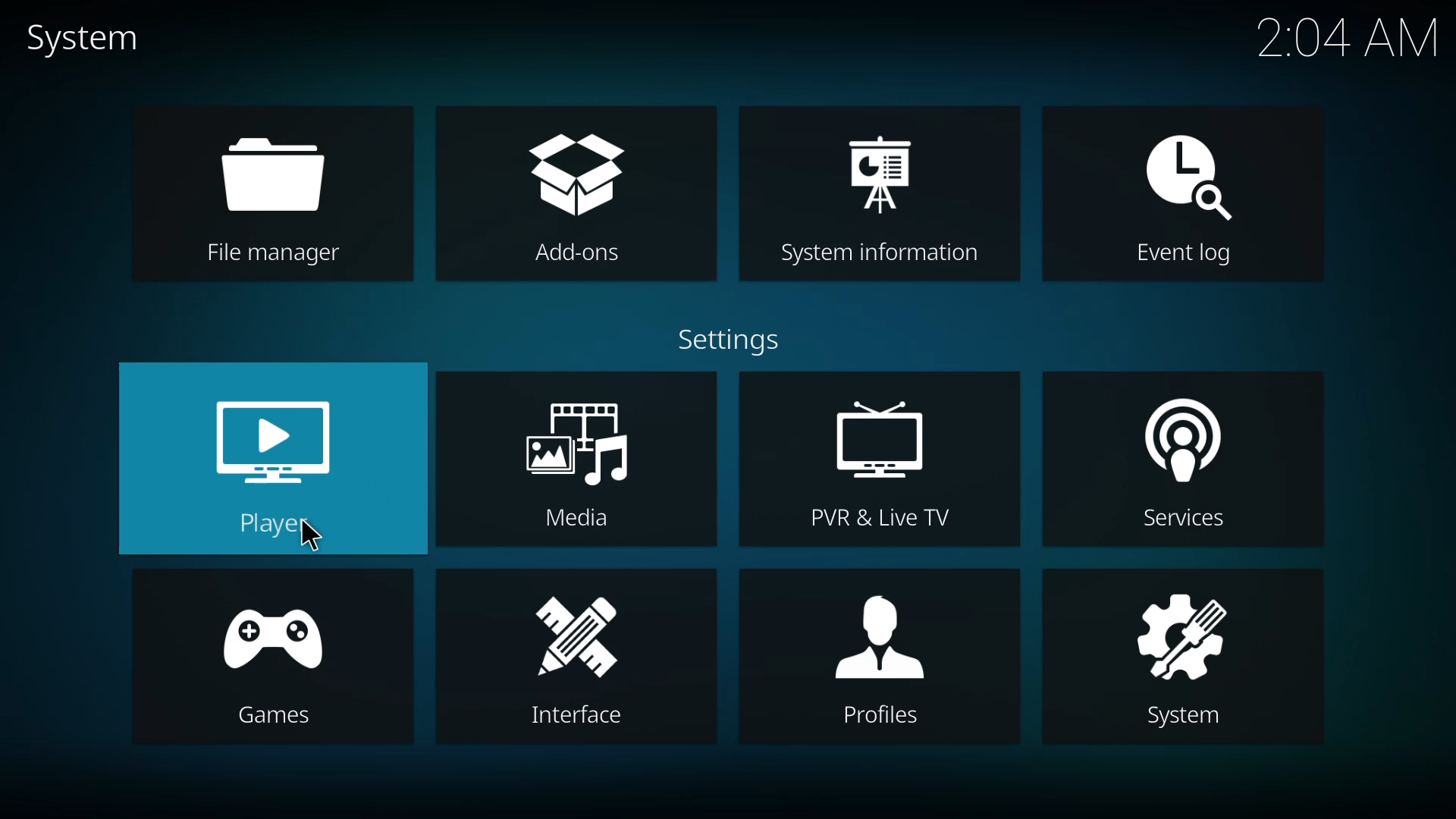  Describe the element at coordinates (576, 656) in the screenshot. I see `interface` at that location.